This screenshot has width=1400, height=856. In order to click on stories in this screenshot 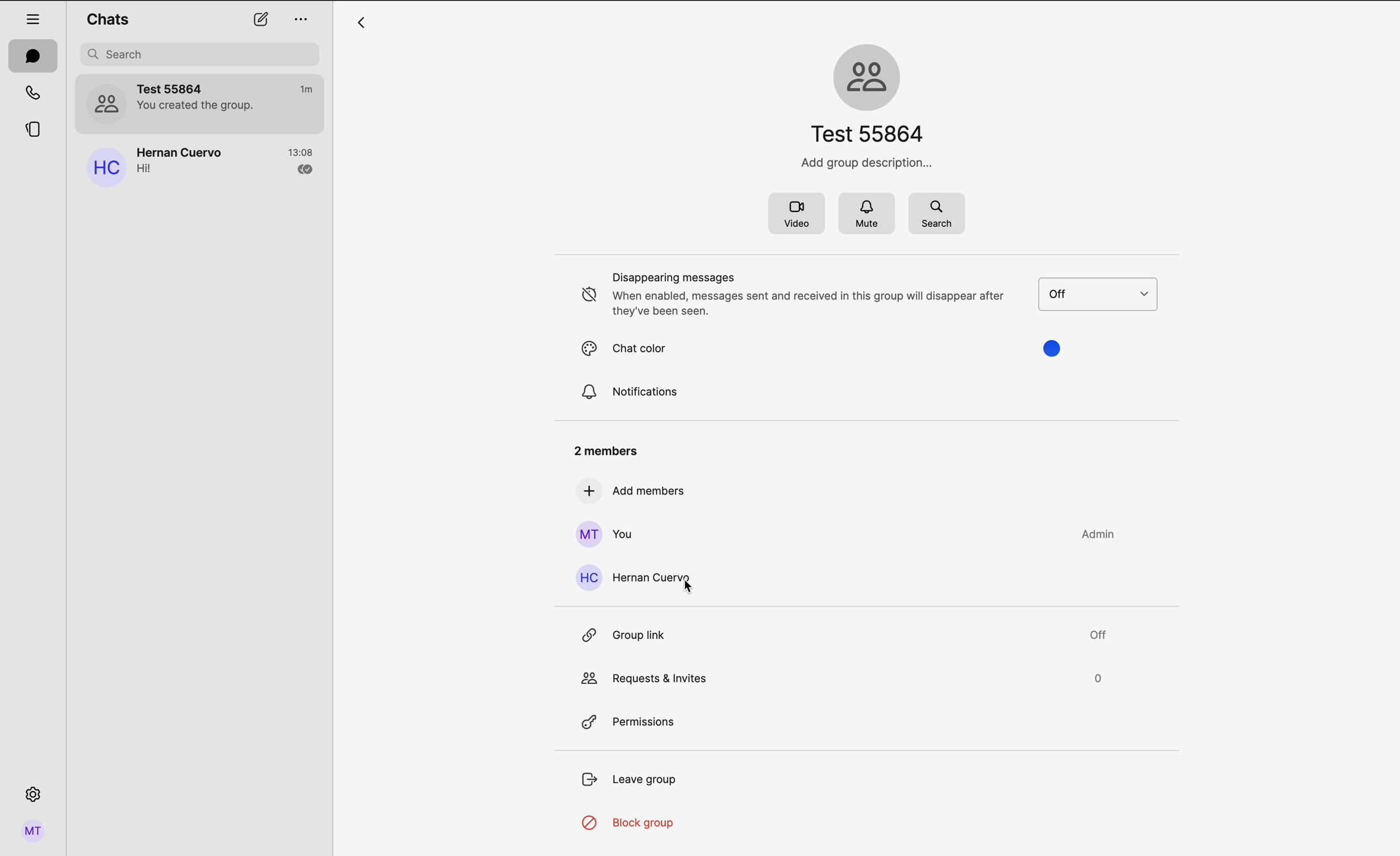, I will do `click(31, 132)`.